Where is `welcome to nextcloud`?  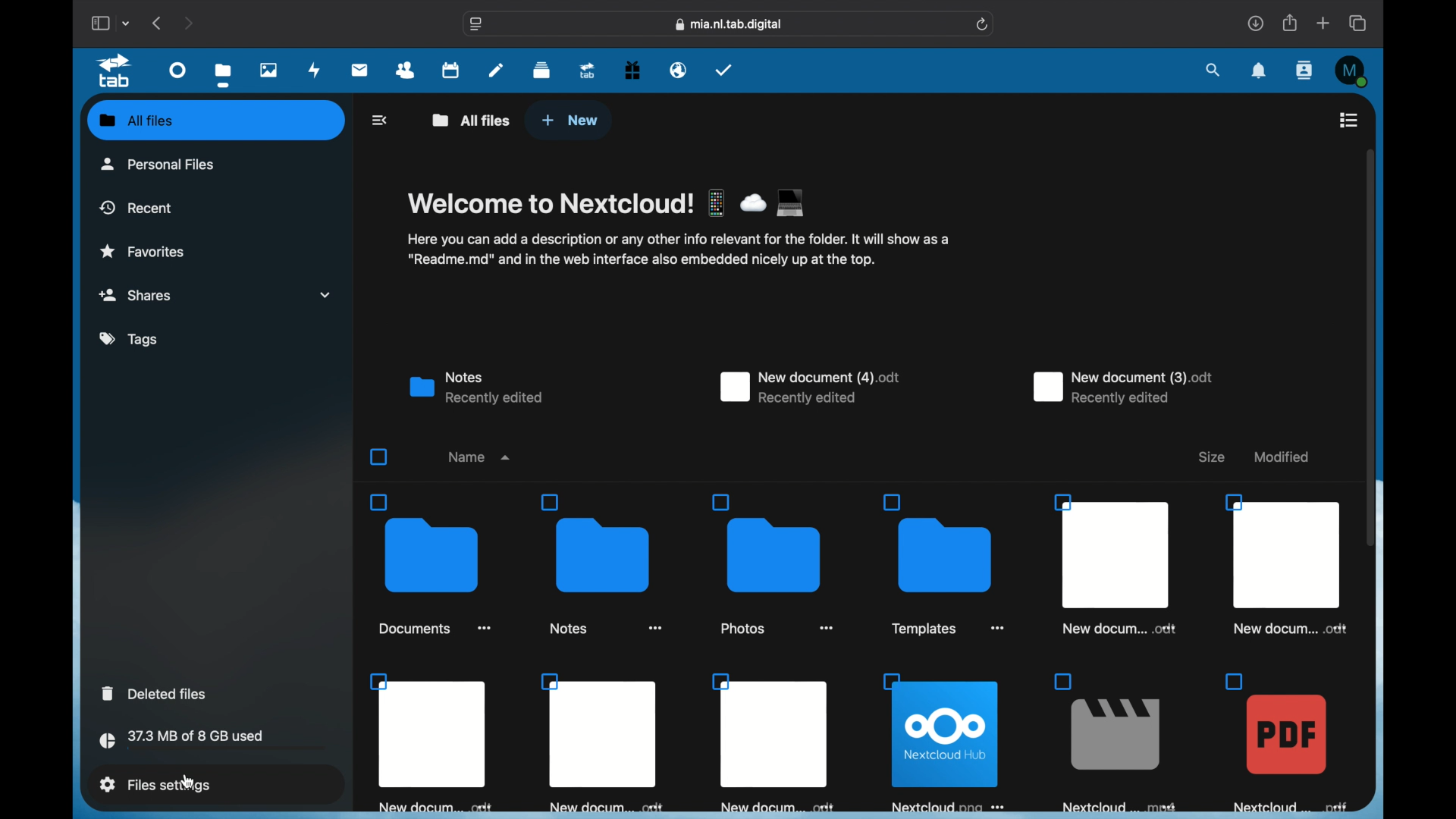
welcome to nextcloud is located at coordinates (608, 202).